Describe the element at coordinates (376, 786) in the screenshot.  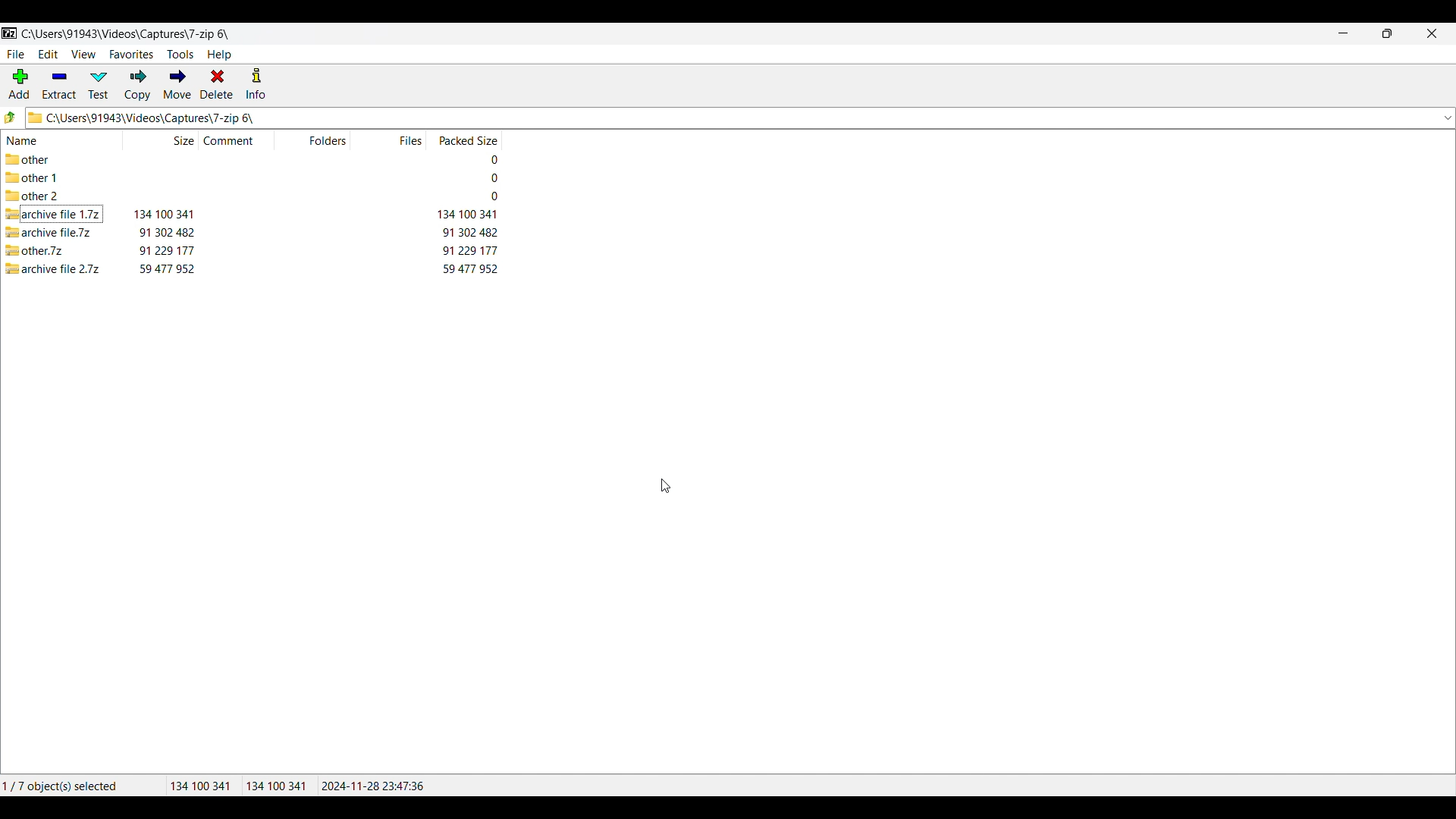
I see `2024-11-28 23:47:36` at that location.